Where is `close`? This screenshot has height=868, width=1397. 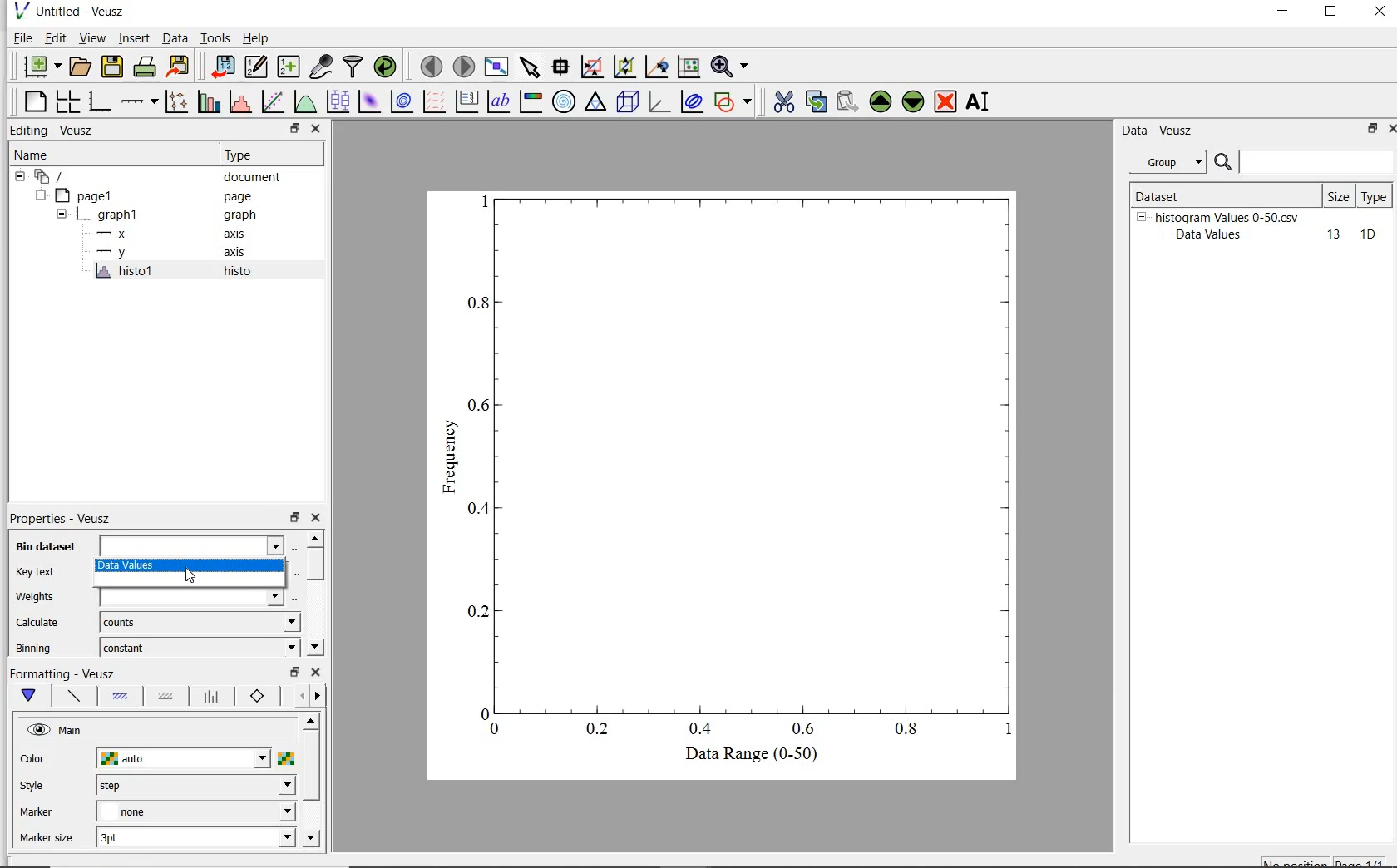
close is located at coordinates (1380, 12).